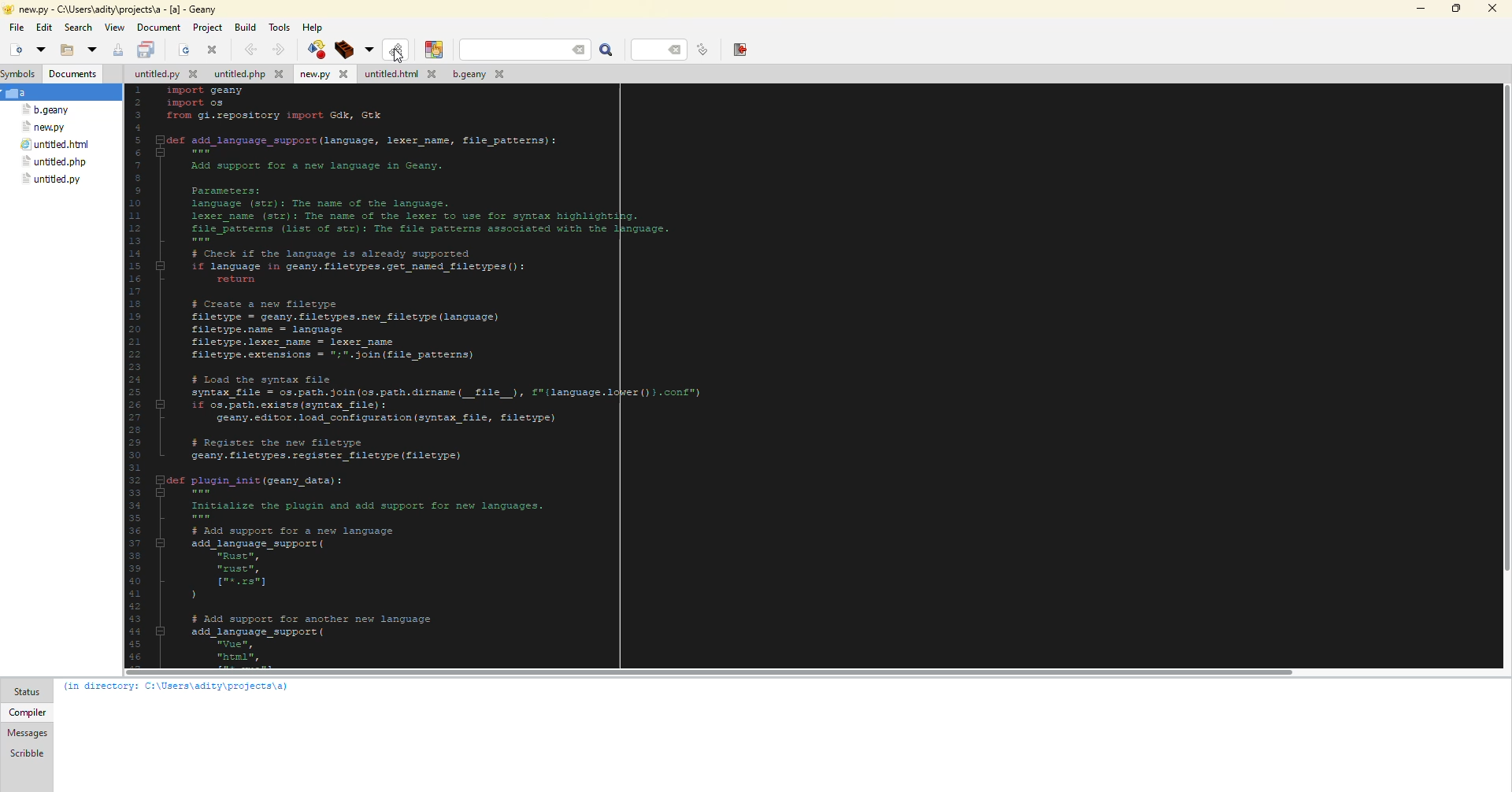  What do you see at coordinates (21, 74) in the screenshot?
I see `symbols` at bounding box center [21, 74].